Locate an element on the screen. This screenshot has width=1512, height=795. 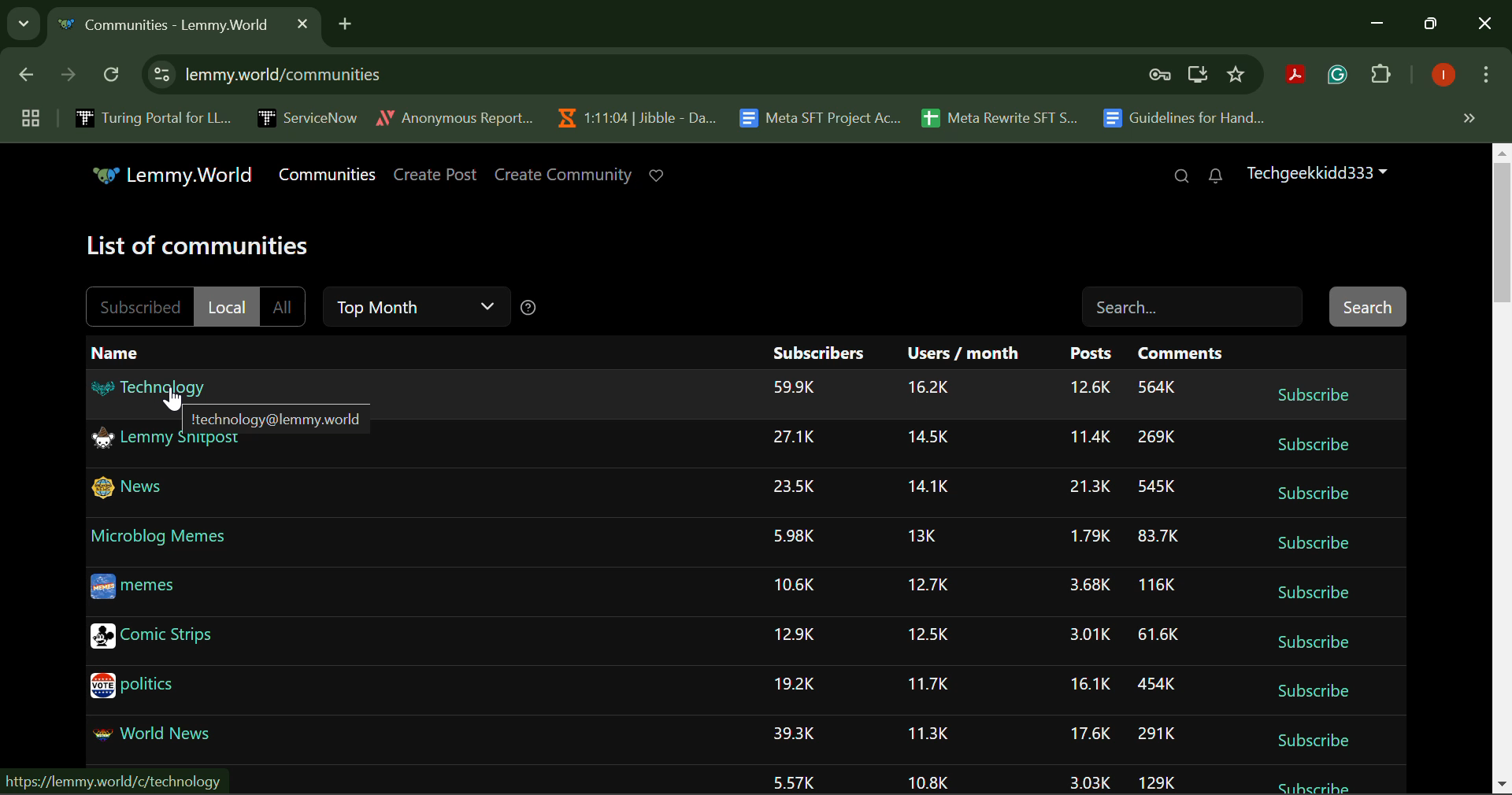
List of Communities is located at coordinates (200, 248).